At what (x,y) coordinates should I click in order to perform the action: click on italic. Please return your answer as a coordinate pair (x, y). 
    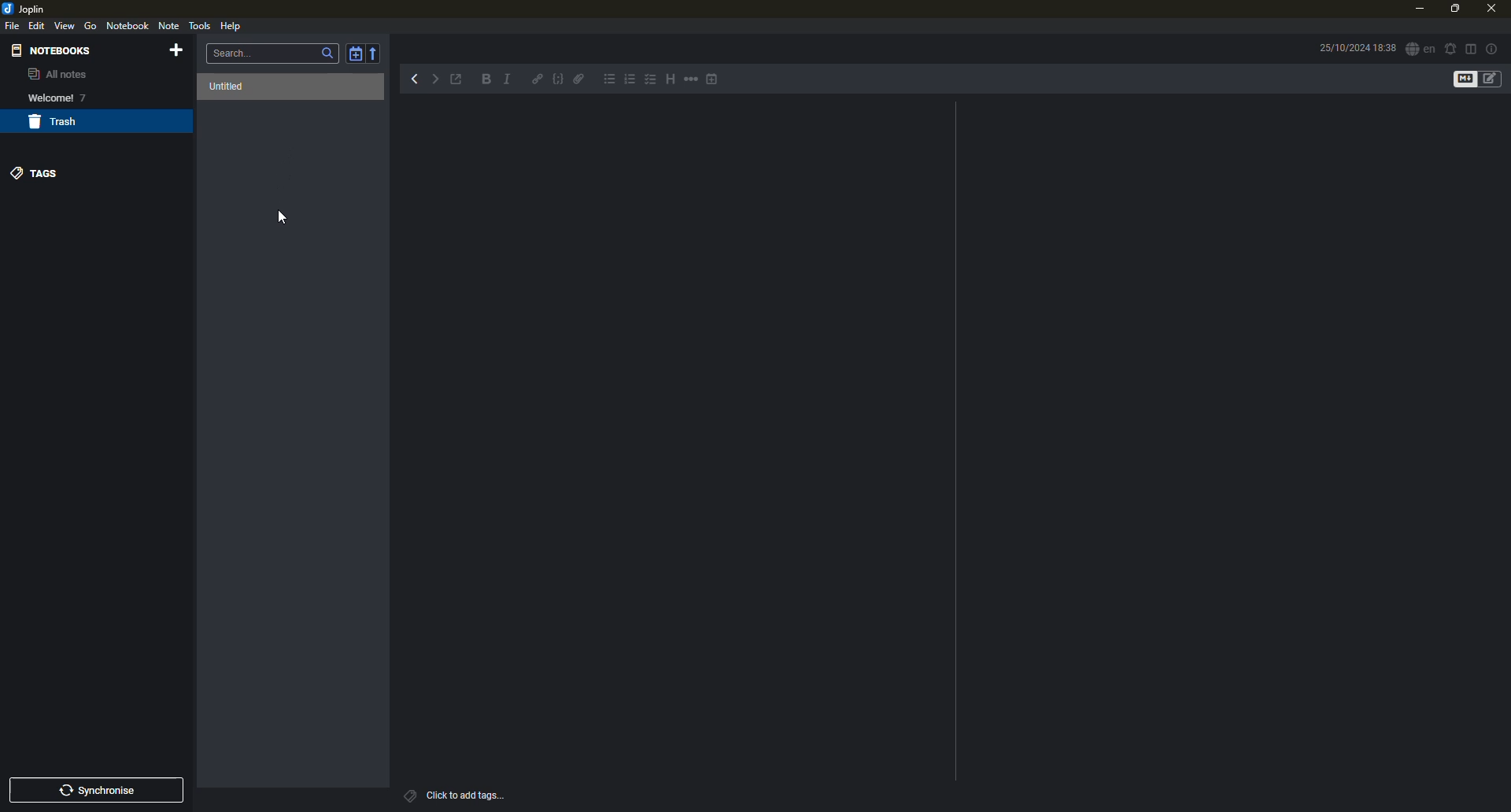
    Looking at the image, I should click on (511, 80).